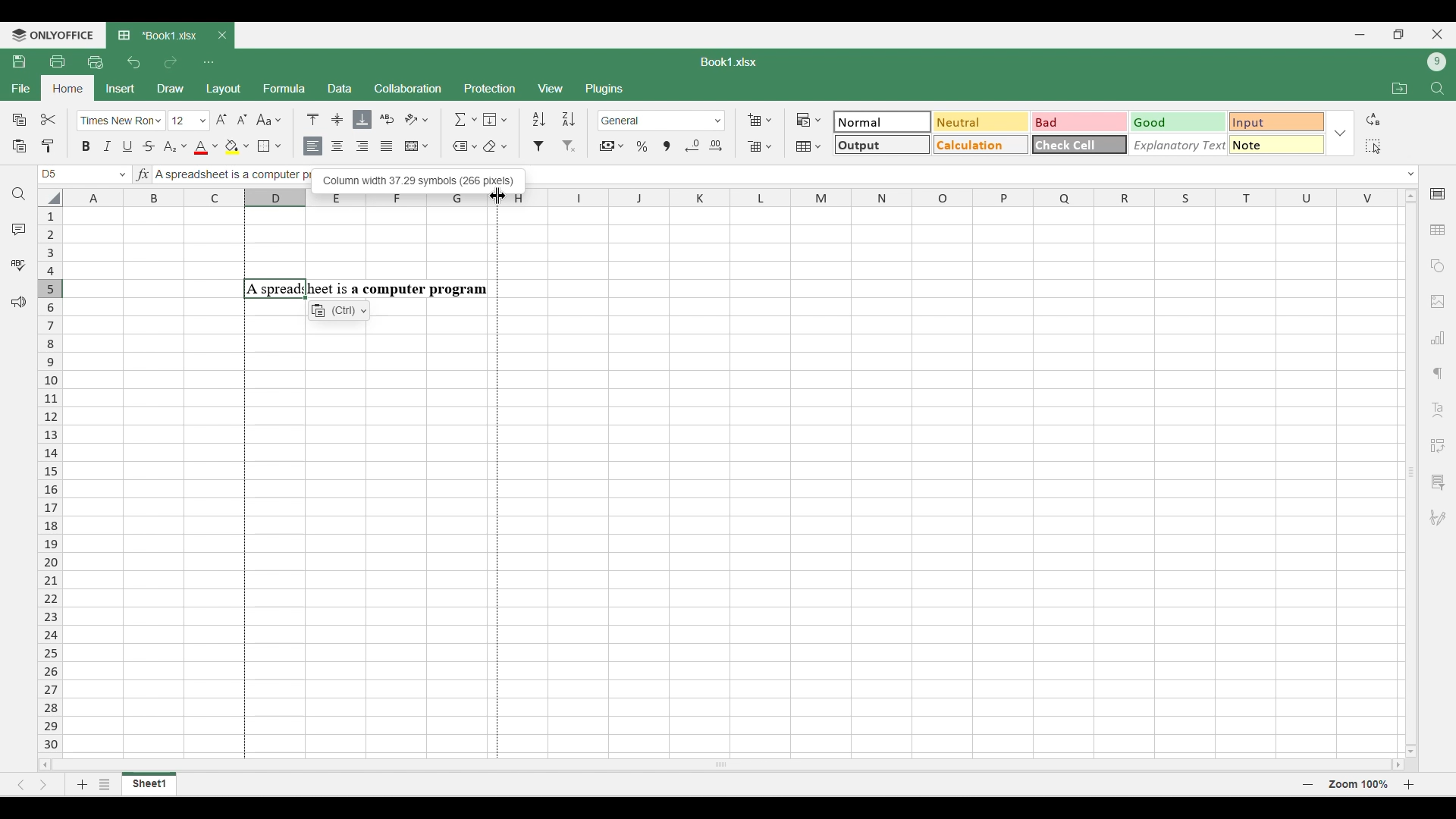 The height and width of the screenshot is (819, 1456). What do you see at coordinates (692, 146) in the screenshot?
I see `Decrease decimal` at bounding box center [692, 146].